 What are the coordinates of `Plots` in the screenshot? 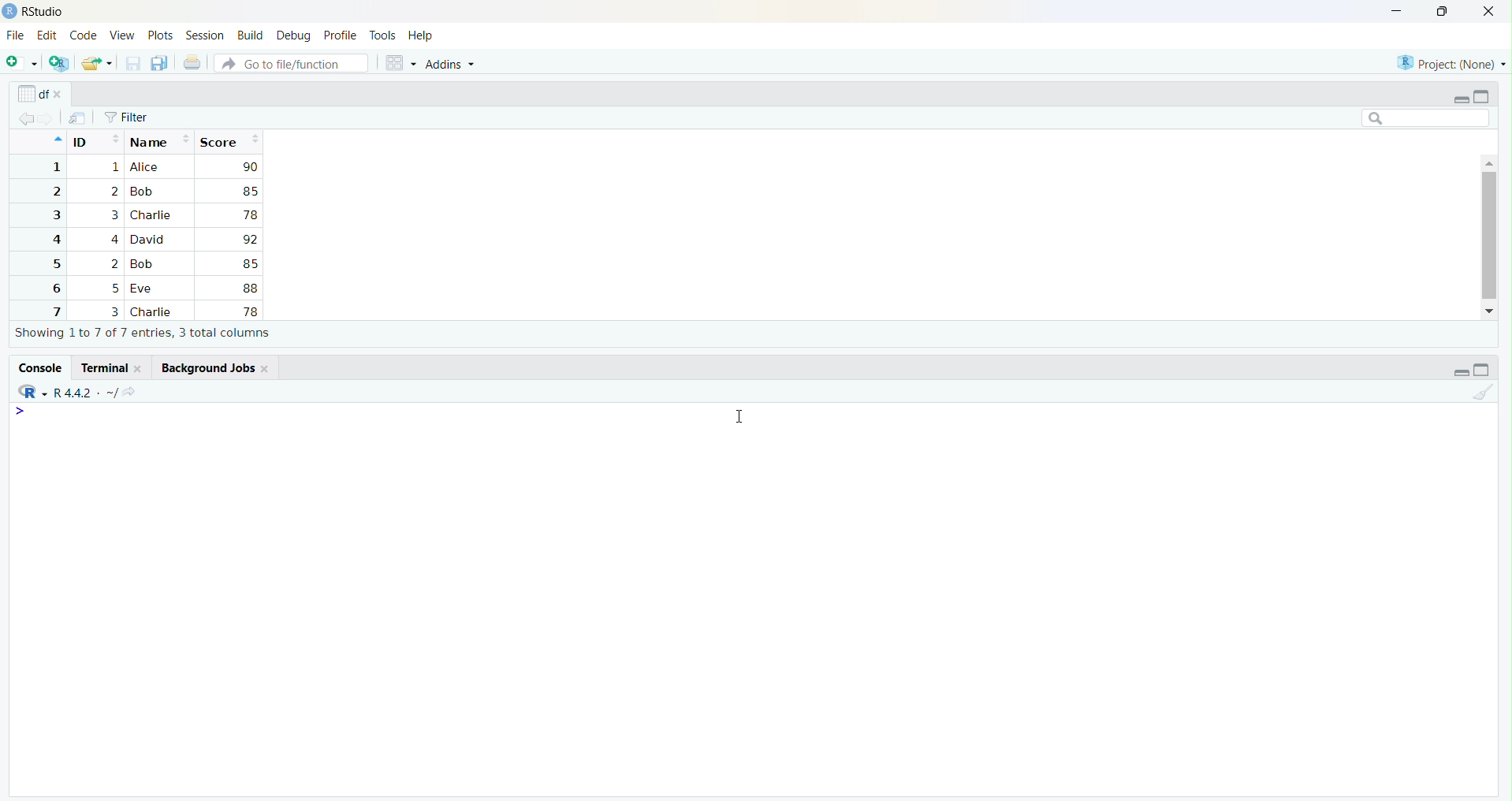 It's located at (161, 36).